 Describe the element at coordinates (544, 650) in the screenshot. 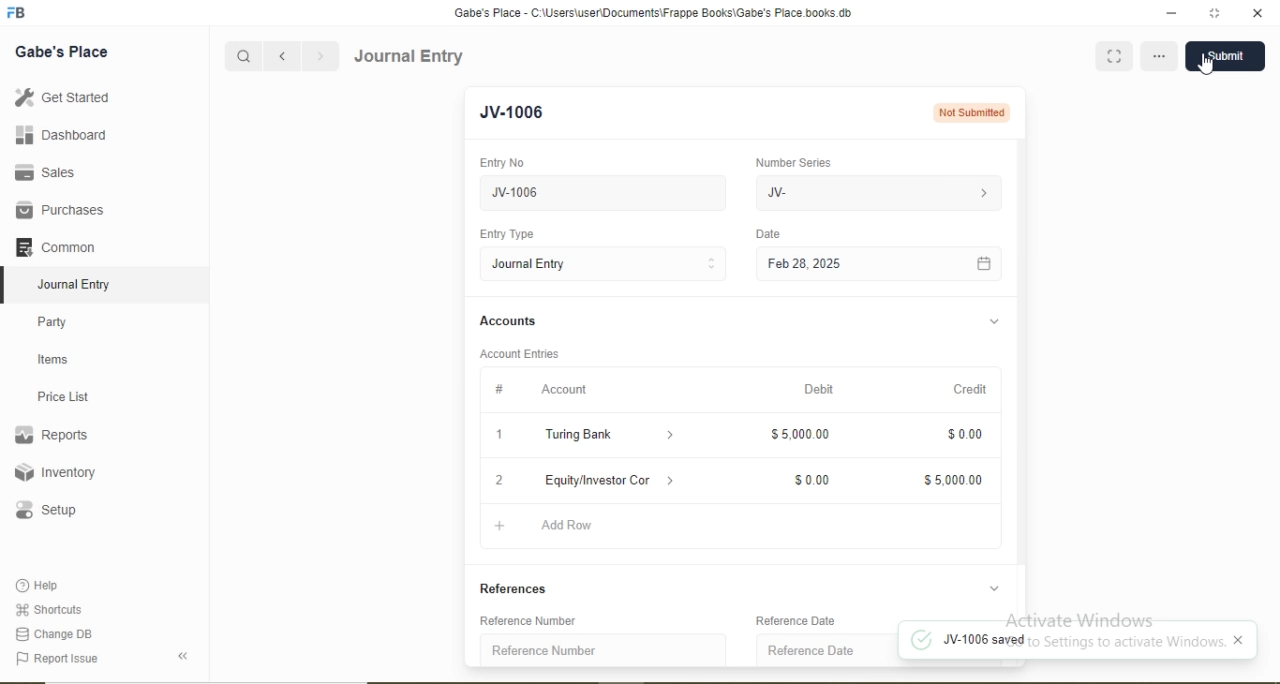

I see `Reference Number` at that location.